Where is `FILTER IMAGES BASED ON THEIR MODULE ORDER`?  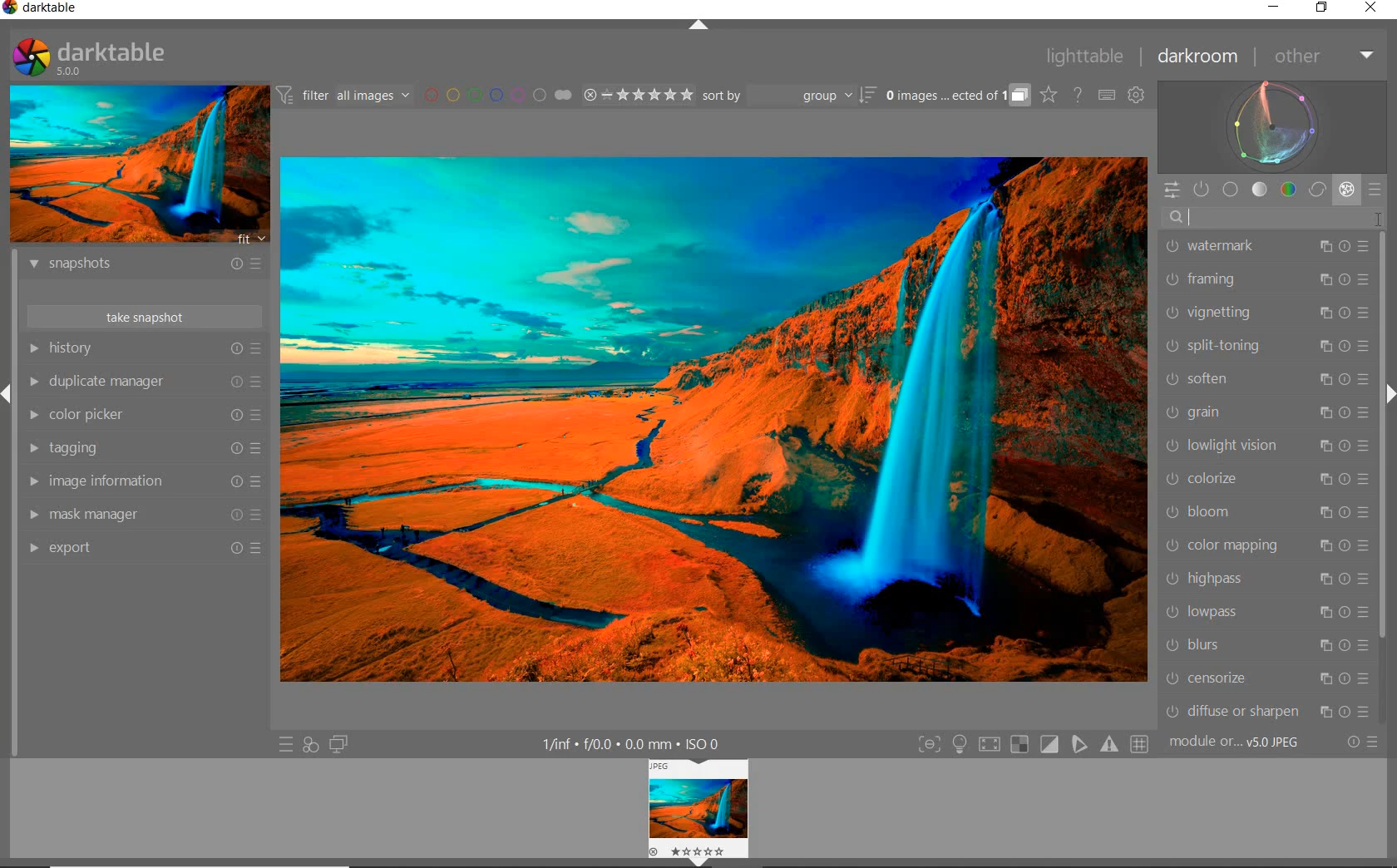 FILTER IMAGES BASED ON THEIR MODULE ORDER is located at coordinates (343, 96).